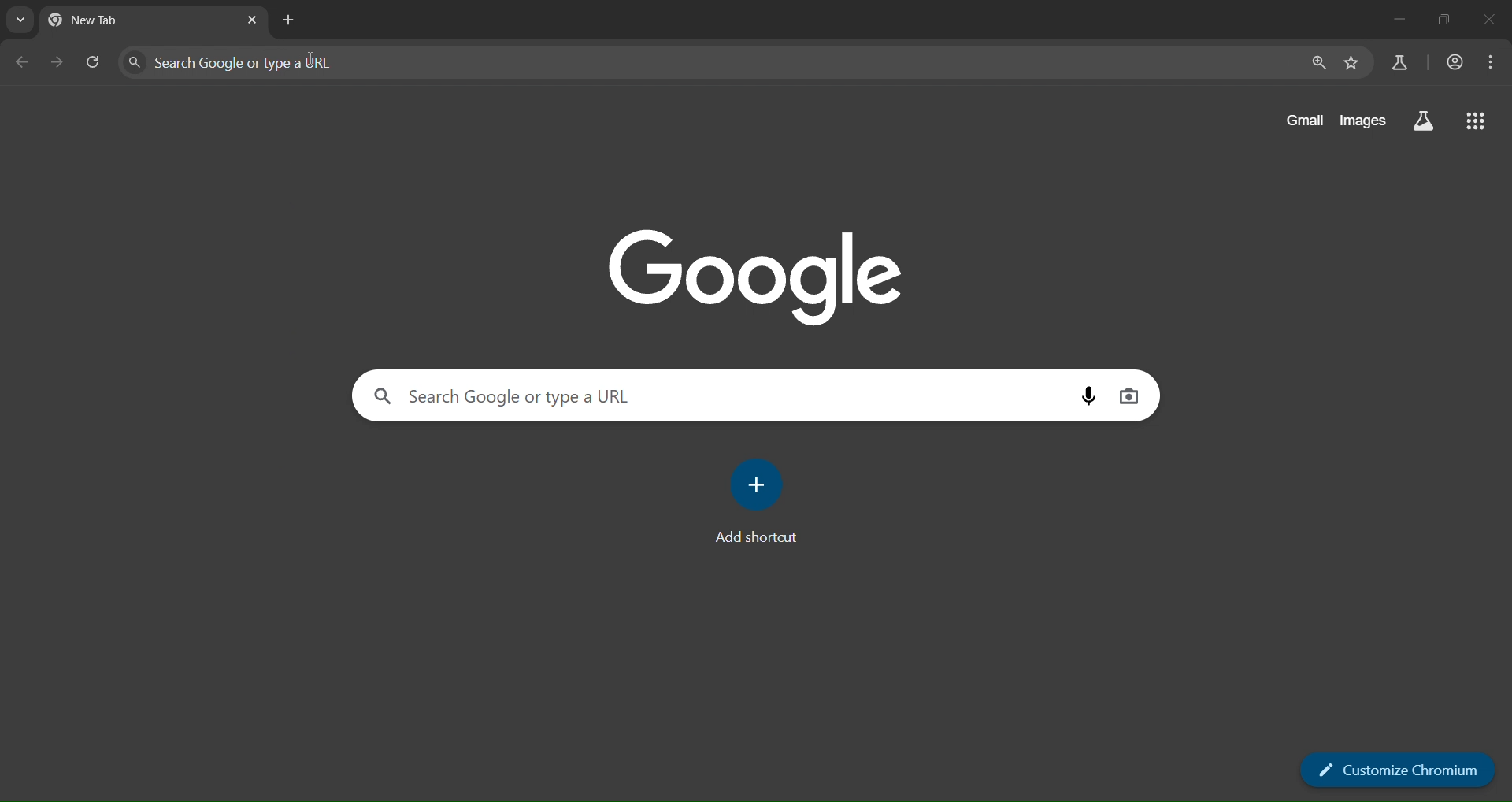  Describe the element at coordinates (1354, 64) in the screenshot. I see `bookmark page` at that location.